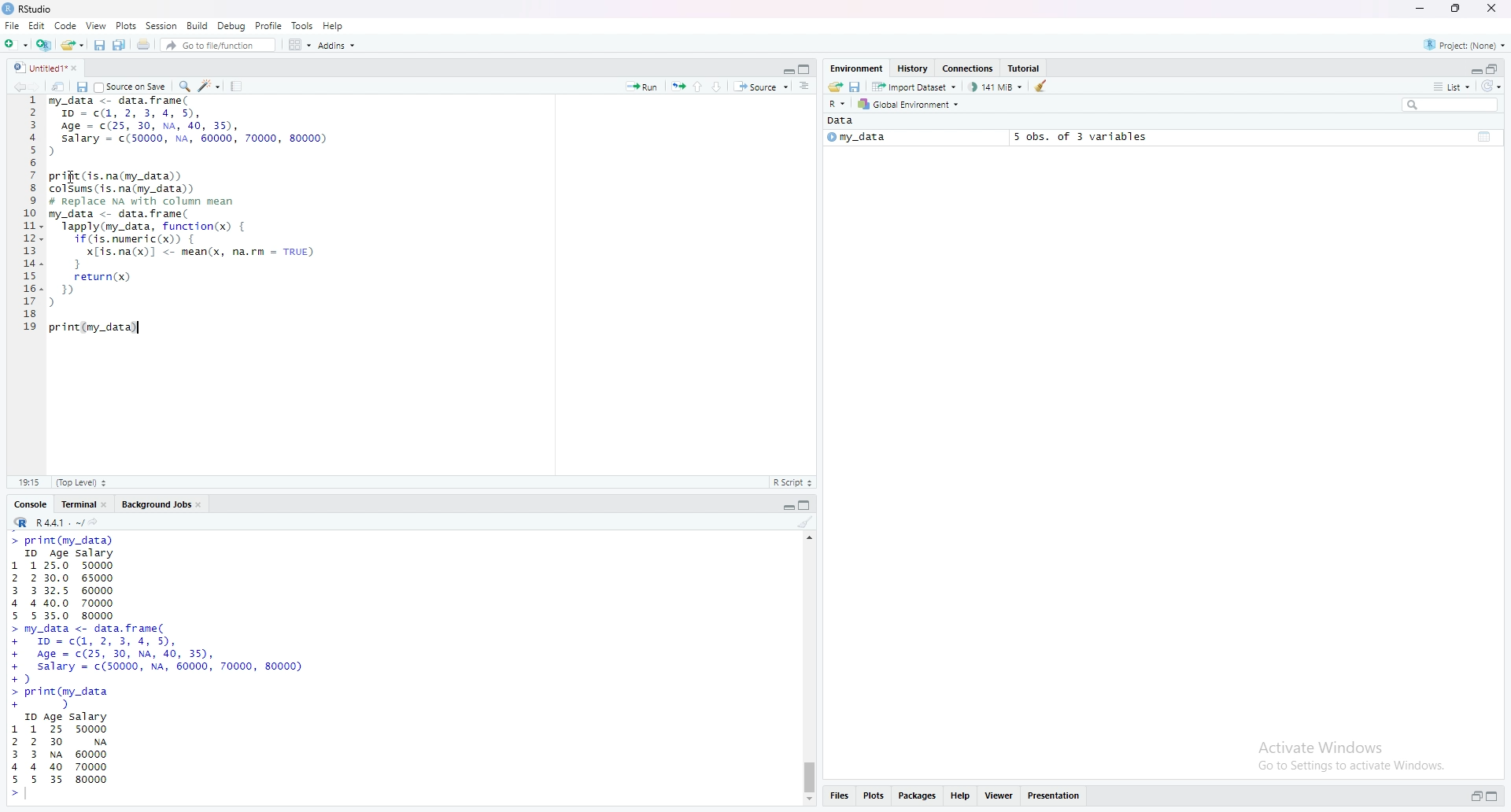  I want to click on Build, so click(199, 25).